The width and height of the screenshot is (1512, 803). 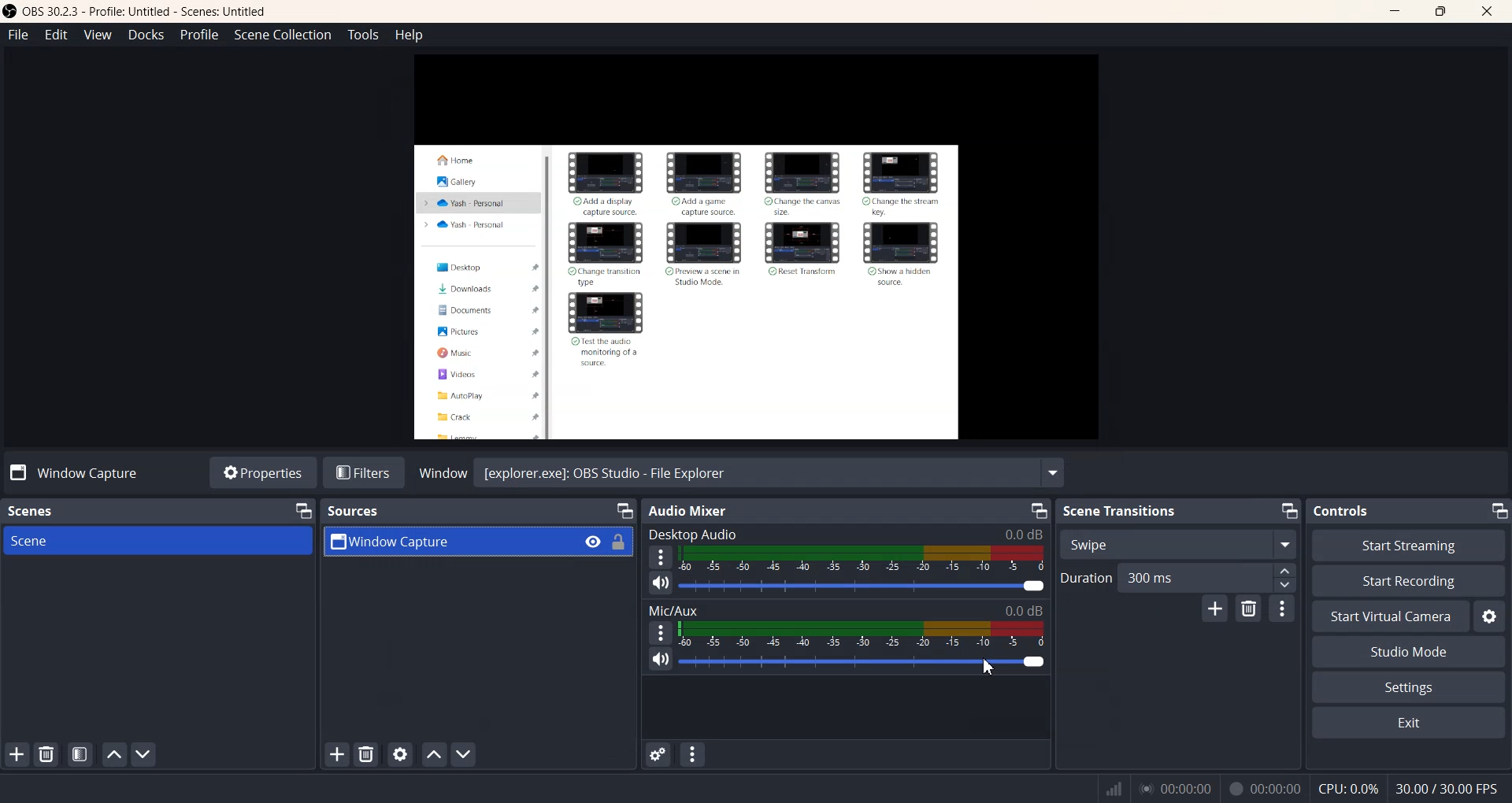 What do you see at coordinates (98, 35) in the screenshot?
I see `View` at bounding box center [98, 35].